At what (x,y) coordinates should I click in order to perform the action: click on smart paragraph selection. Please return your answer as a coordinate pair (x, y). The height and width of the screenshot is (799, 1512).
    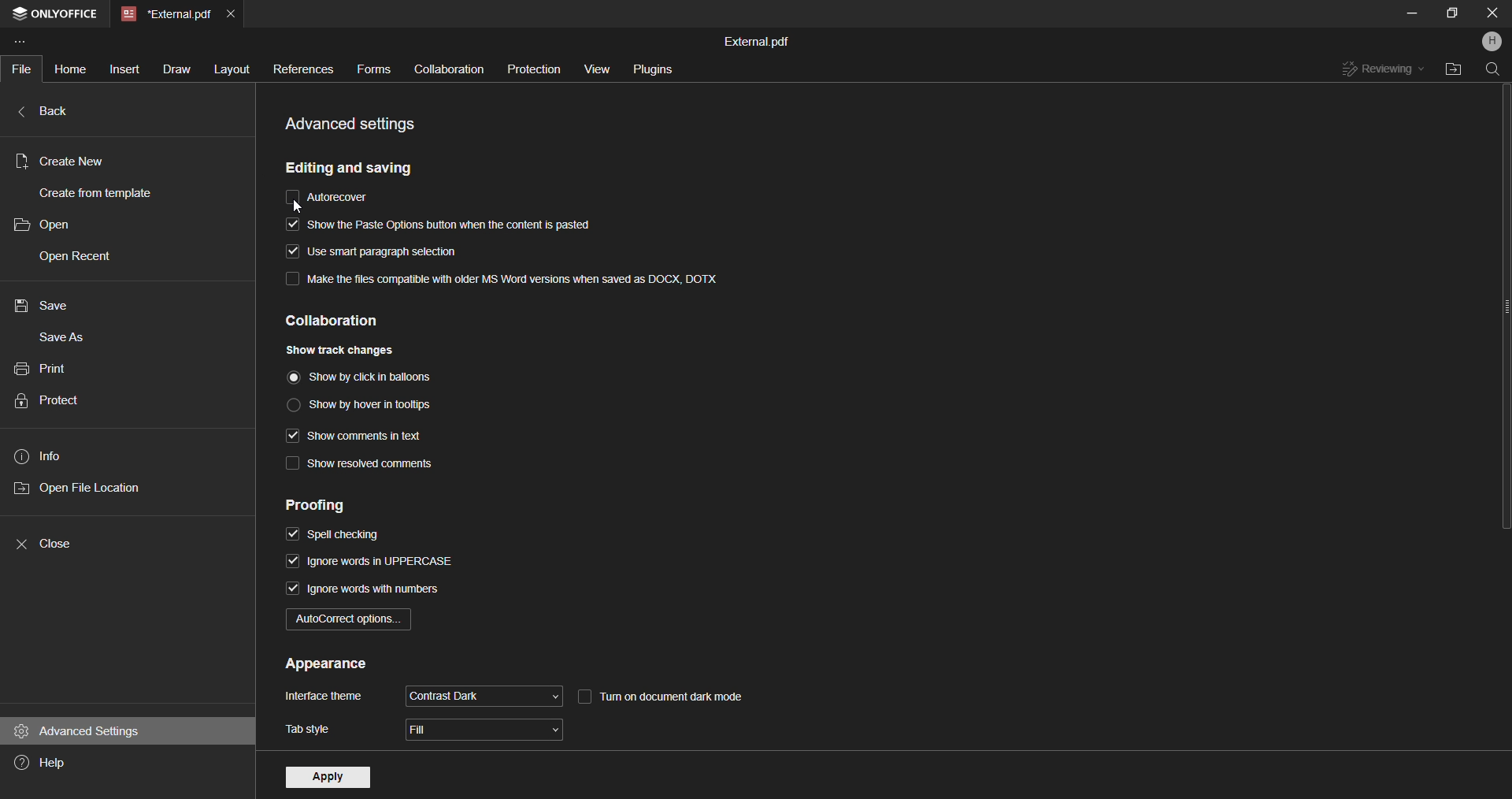
    Looking at the image, I should click on (367, 251).